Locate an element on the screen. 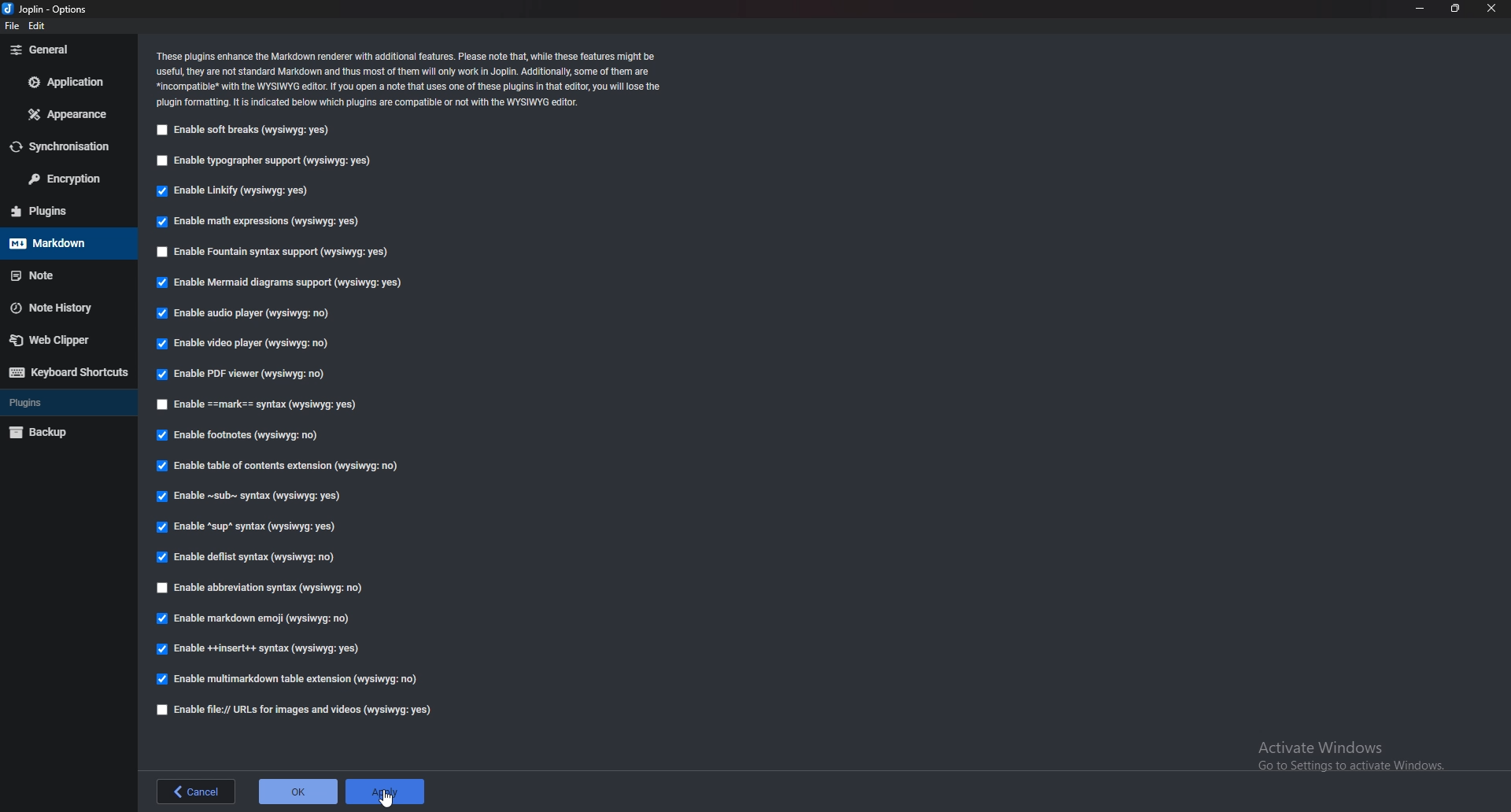  Webclipper is located at coordinates (70, 339).